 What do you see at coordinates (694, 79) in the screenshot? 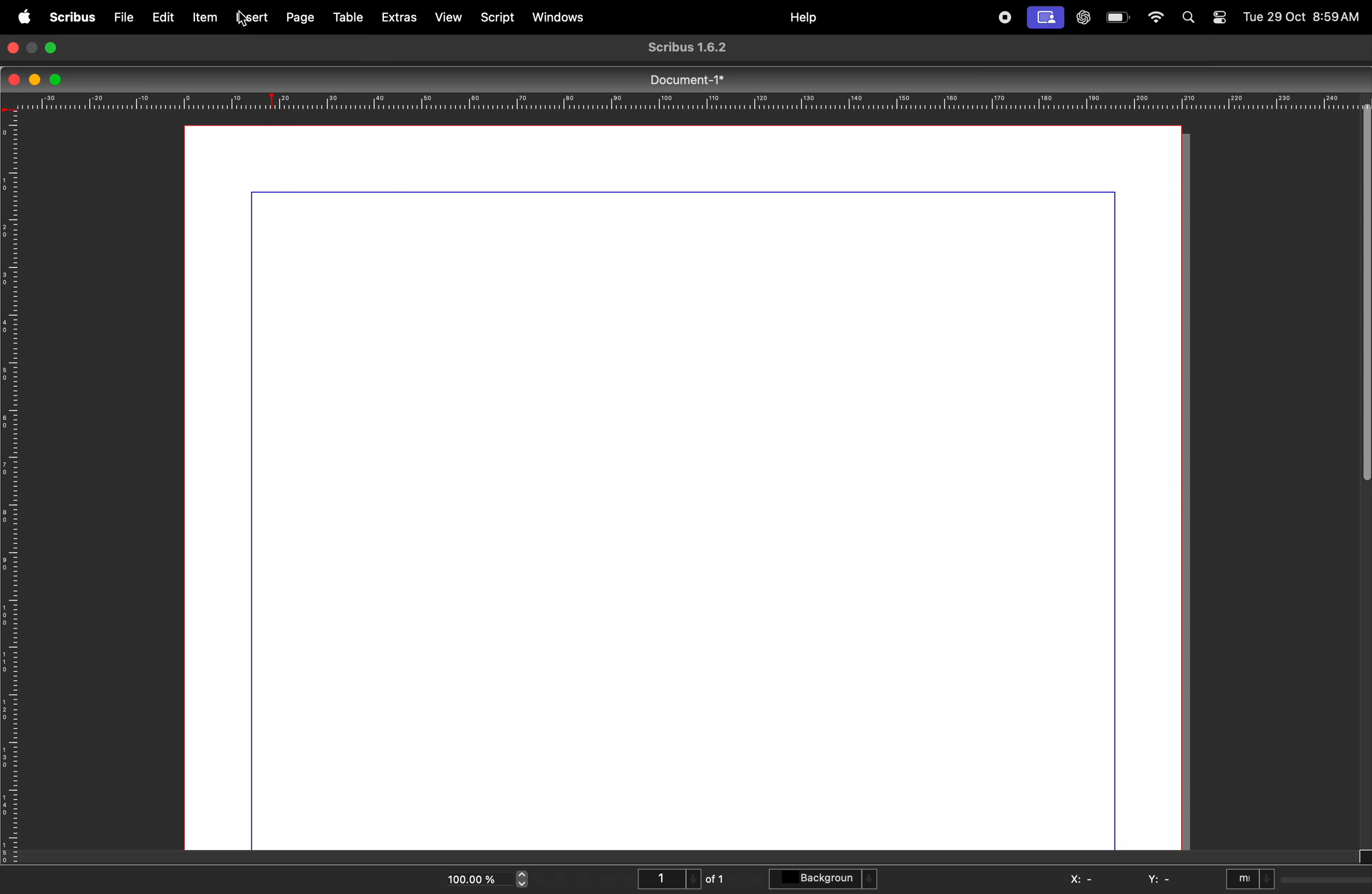
I see `Document-1*` at bounding box center [694, 79].